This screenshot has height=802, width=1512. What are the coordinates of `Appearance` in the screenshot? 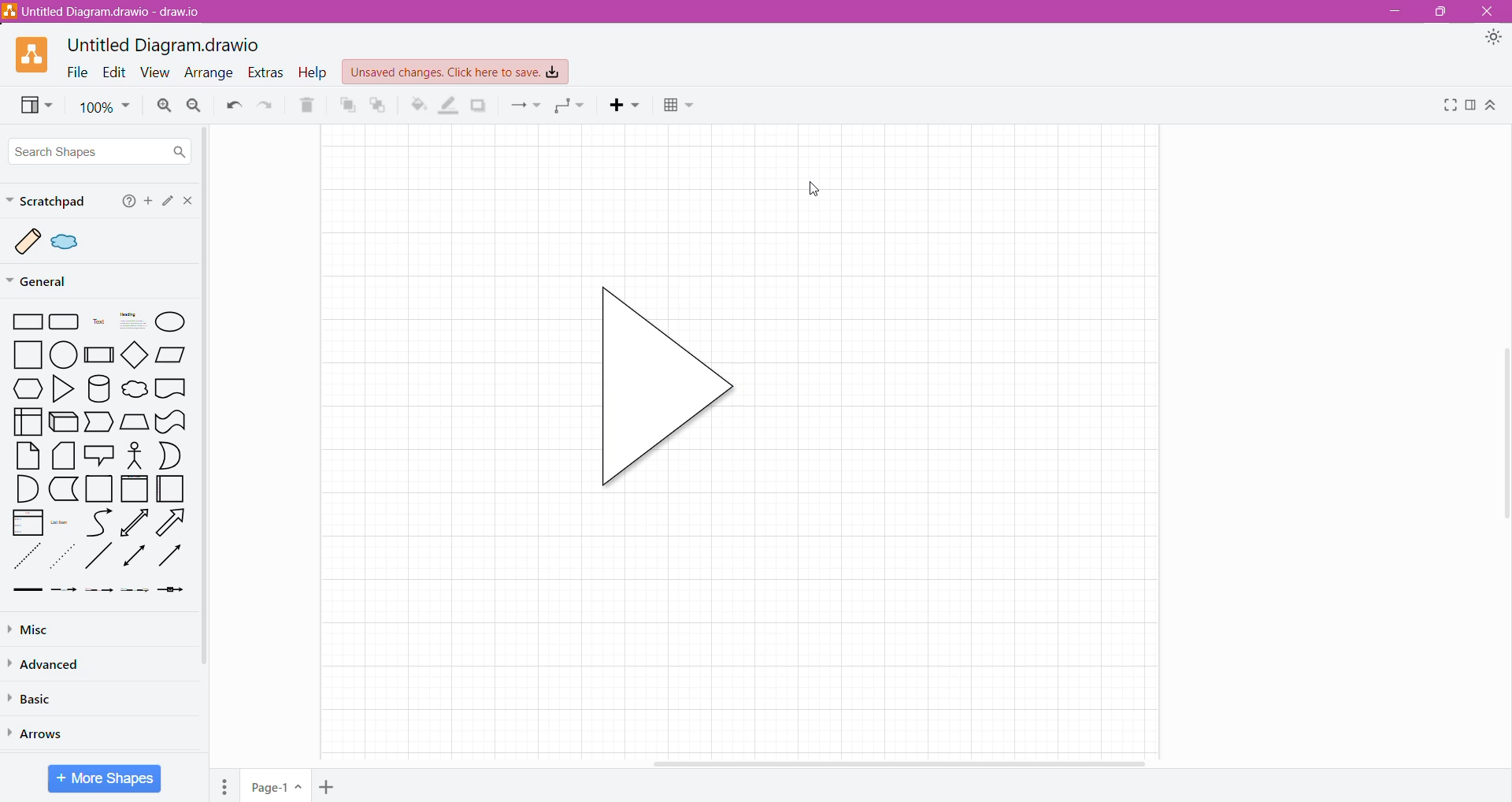 It's located at (1491, 39).